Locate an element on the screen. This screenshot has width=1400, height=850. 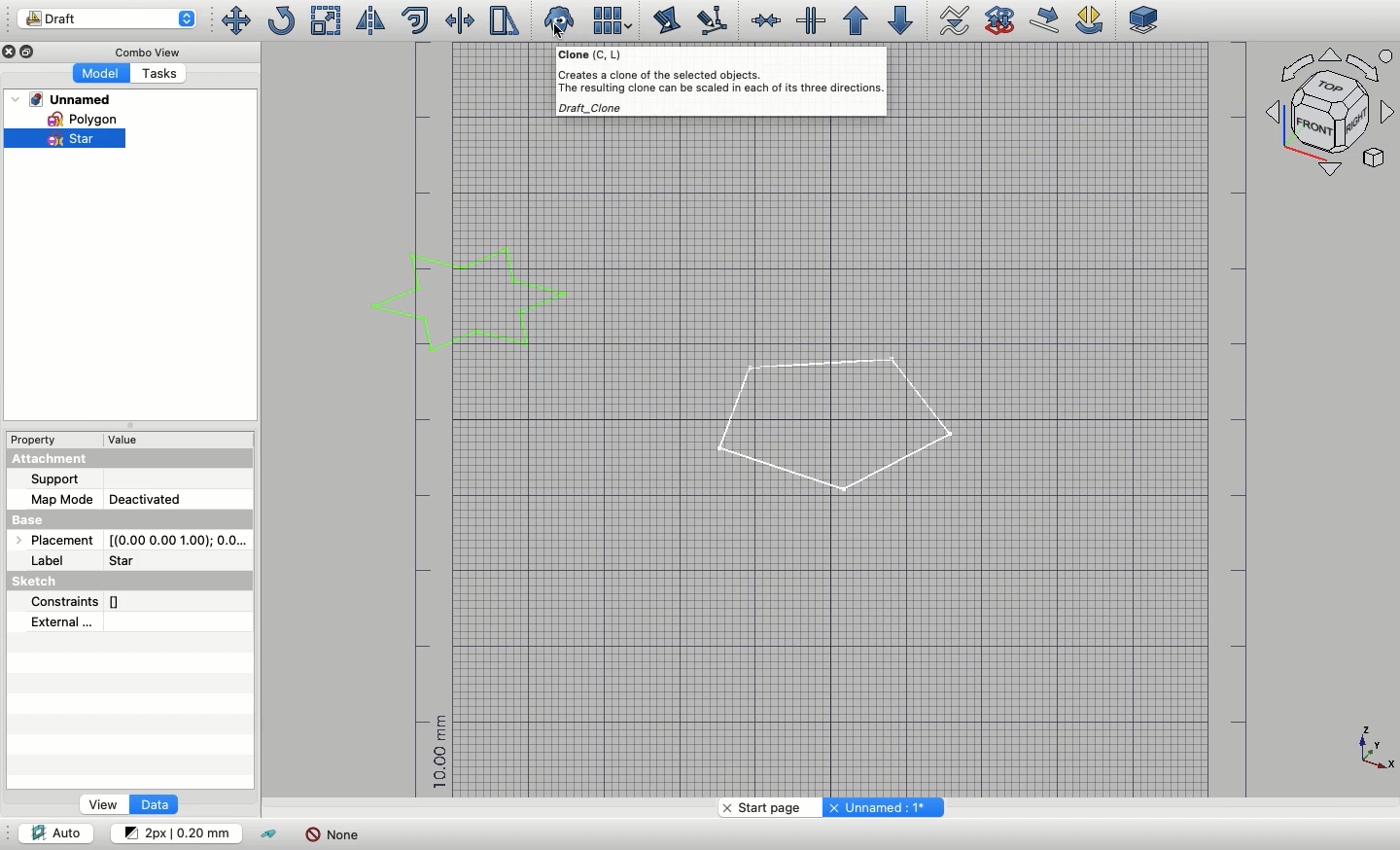
Model is located at coordinates (99, 74).